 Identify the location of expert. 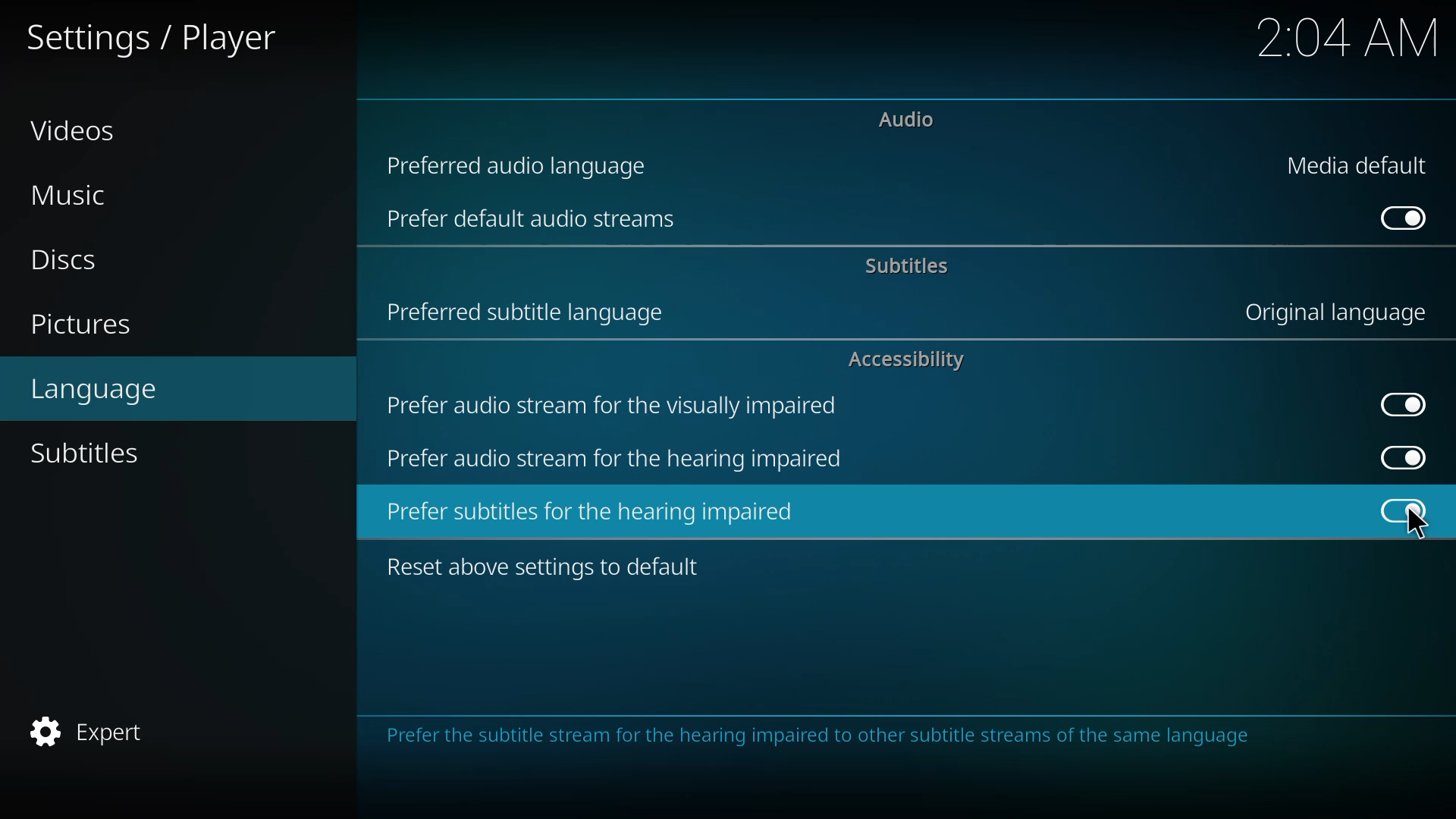
(99, 730).